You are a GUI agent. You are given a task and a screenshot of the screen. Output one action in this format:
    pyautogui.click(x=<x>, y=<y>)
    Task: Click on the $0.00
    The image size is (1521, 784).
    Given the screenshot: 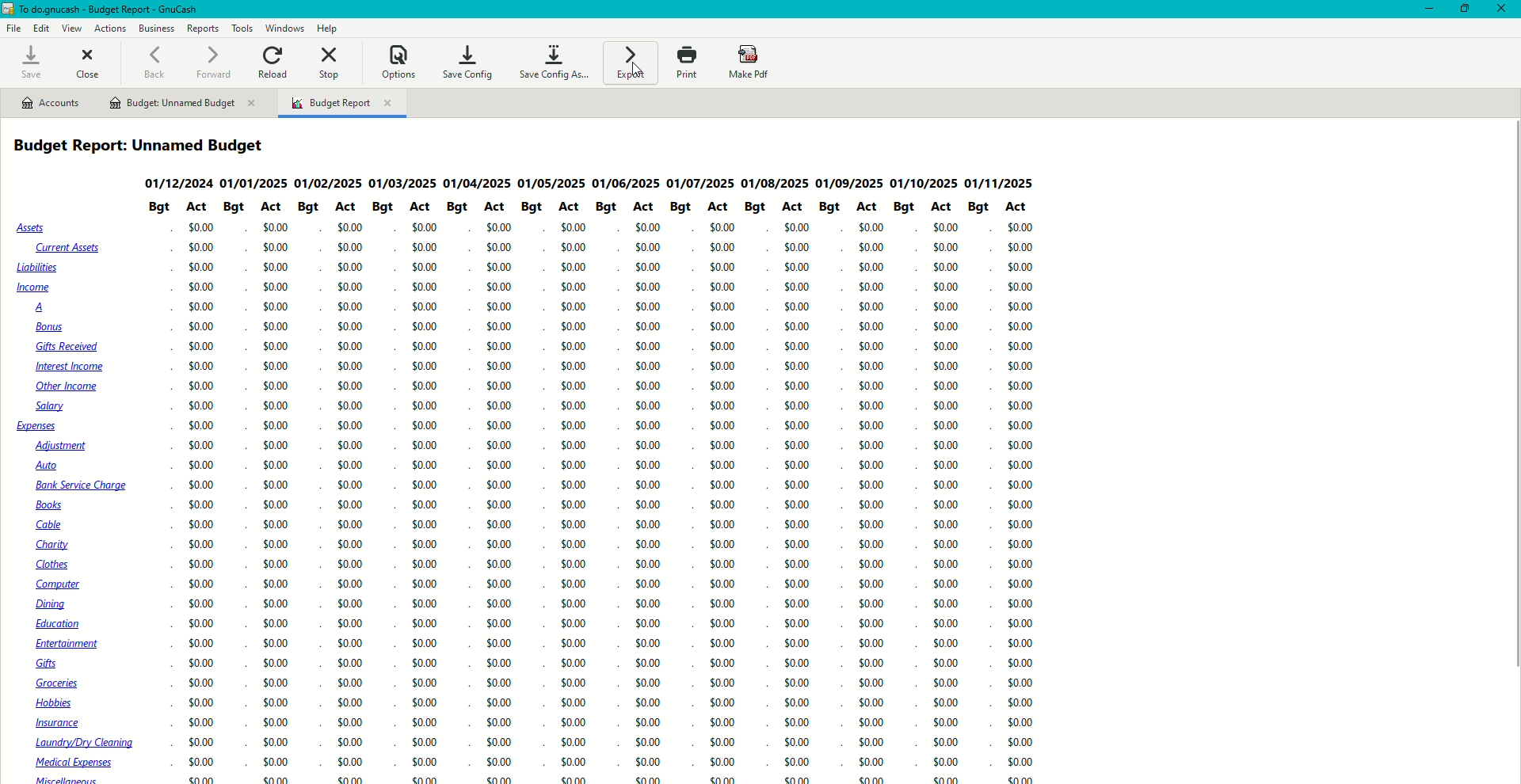 What is the action you would take?
    pyautogui.click(x=609, y=751)
    